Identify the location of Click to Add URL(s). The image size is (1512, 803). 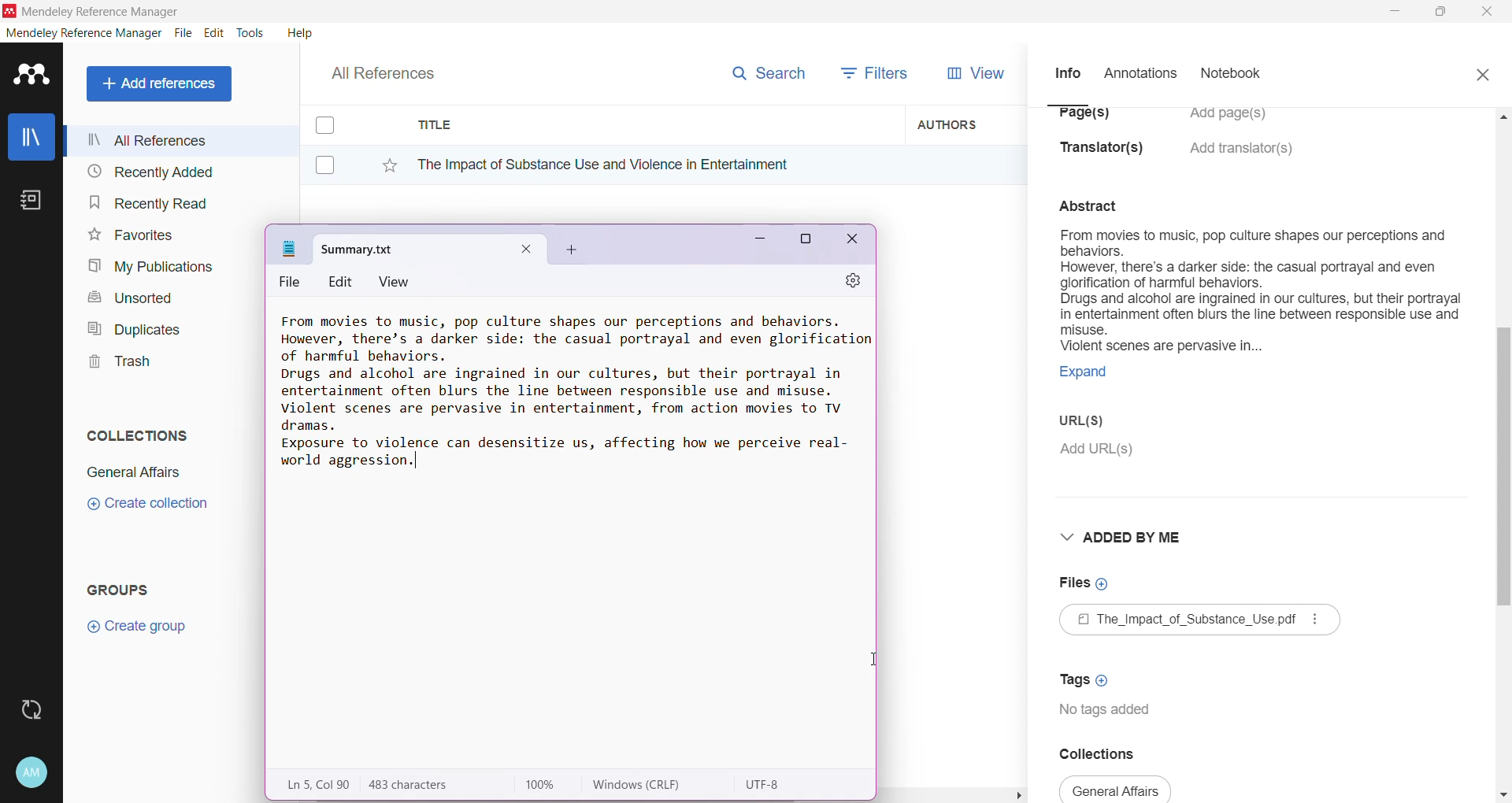
(1099, 451).